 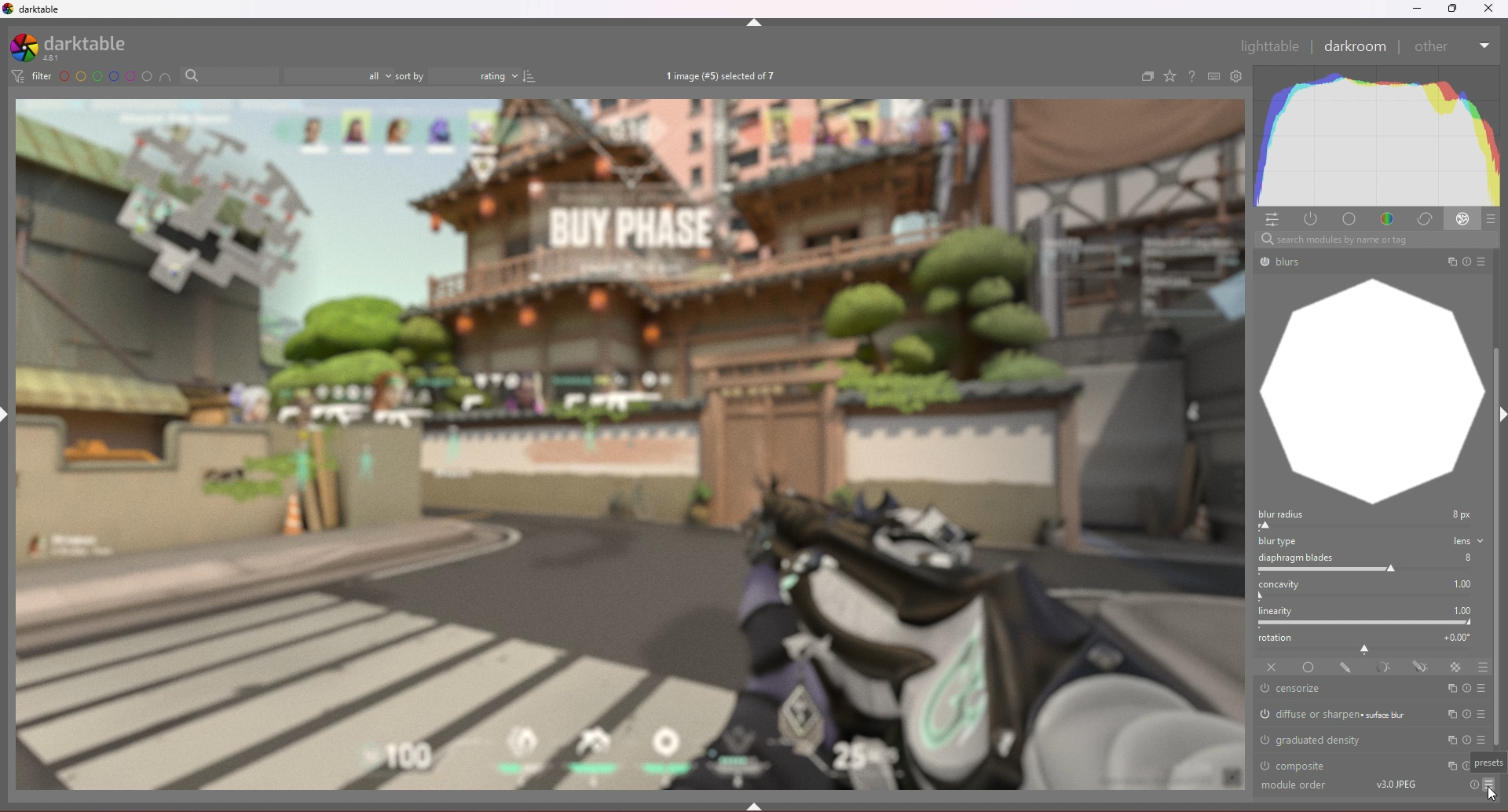 What do you see at coordinates (1452, 262) in the screenshot?
I see `` at bounding box center [1452, 262].